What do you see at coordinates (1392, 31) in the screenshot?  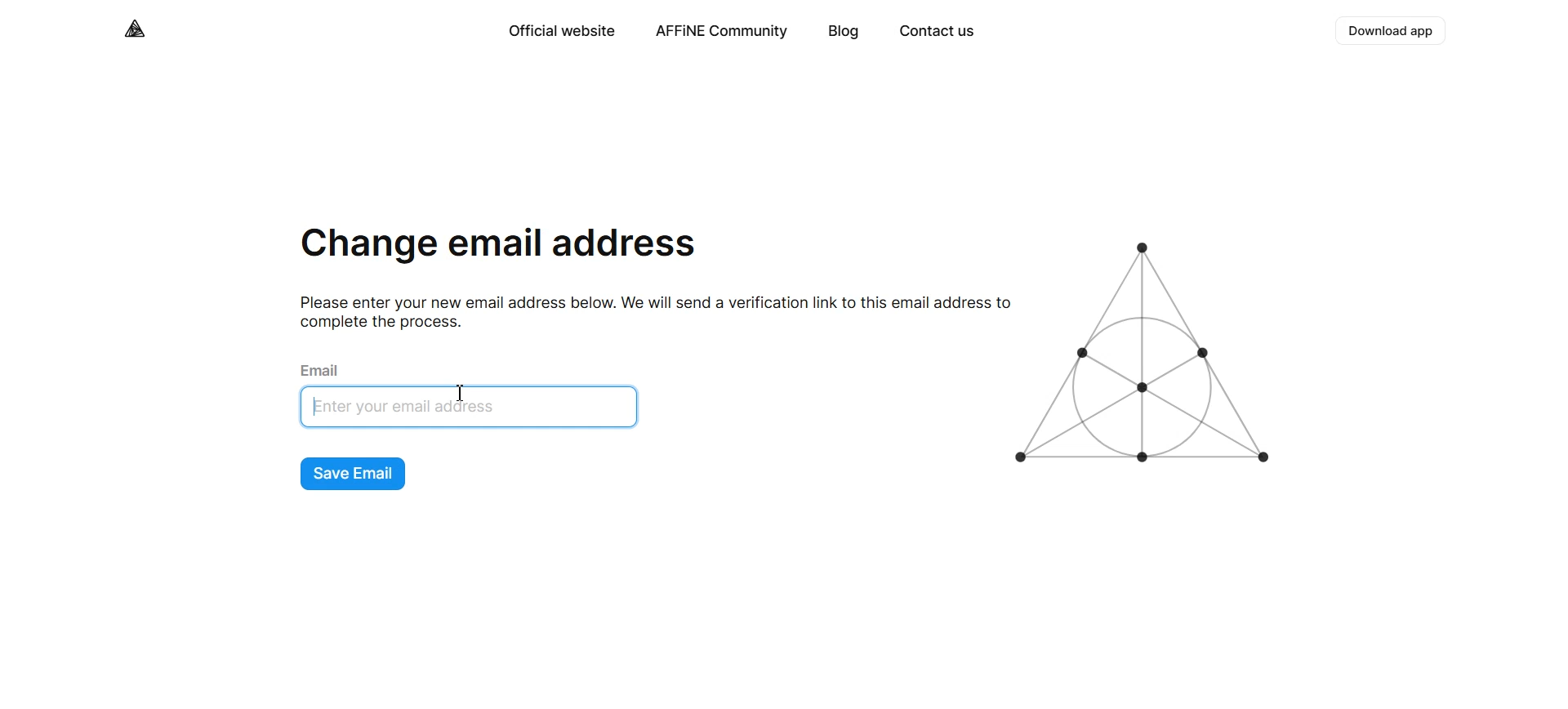 I see `Download app` at bounding box center [1392, 31].